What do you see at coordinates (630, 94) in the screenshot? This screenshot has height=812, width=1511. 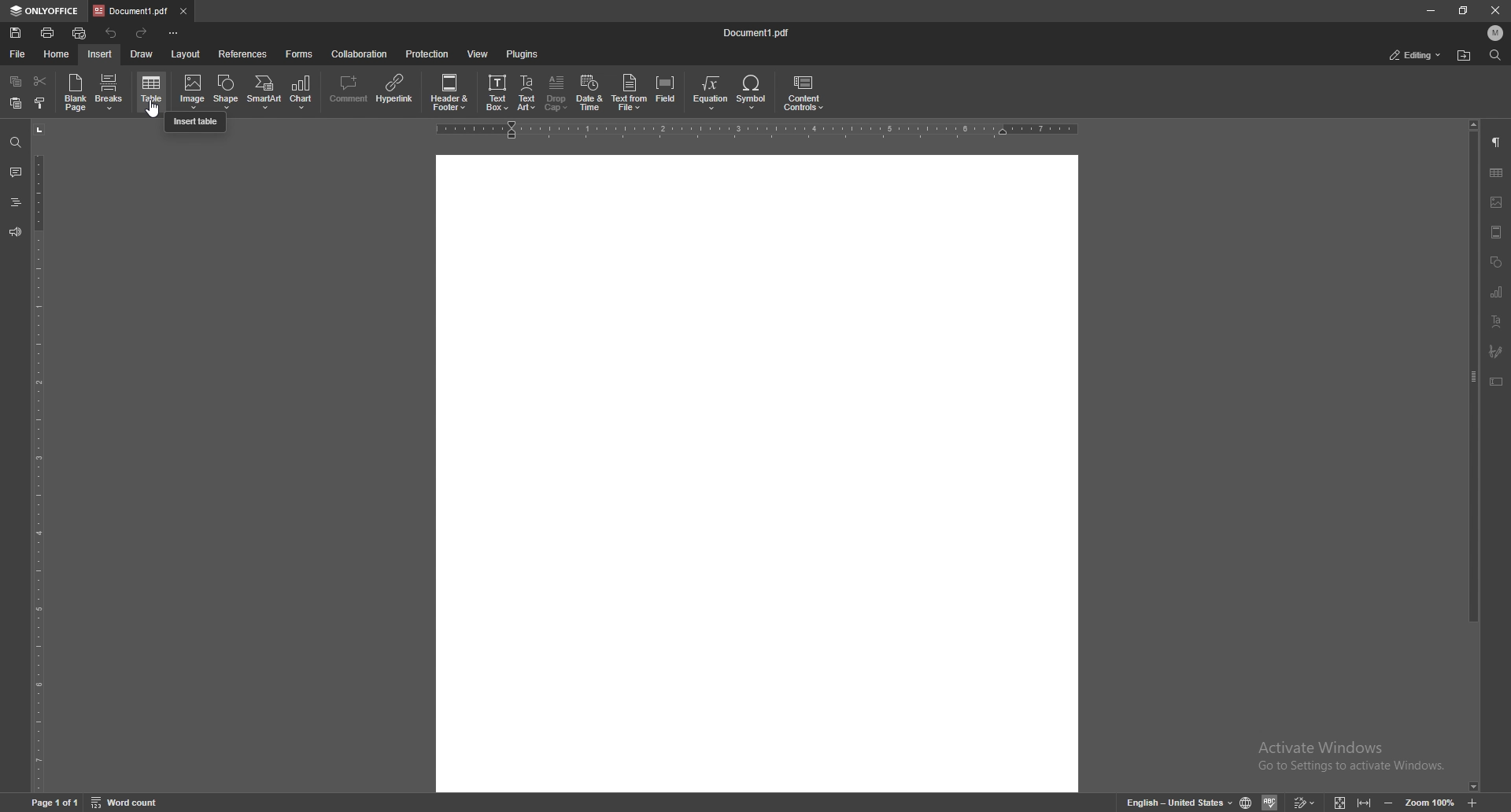 I see `text from file` at bounding box center [630, 94].